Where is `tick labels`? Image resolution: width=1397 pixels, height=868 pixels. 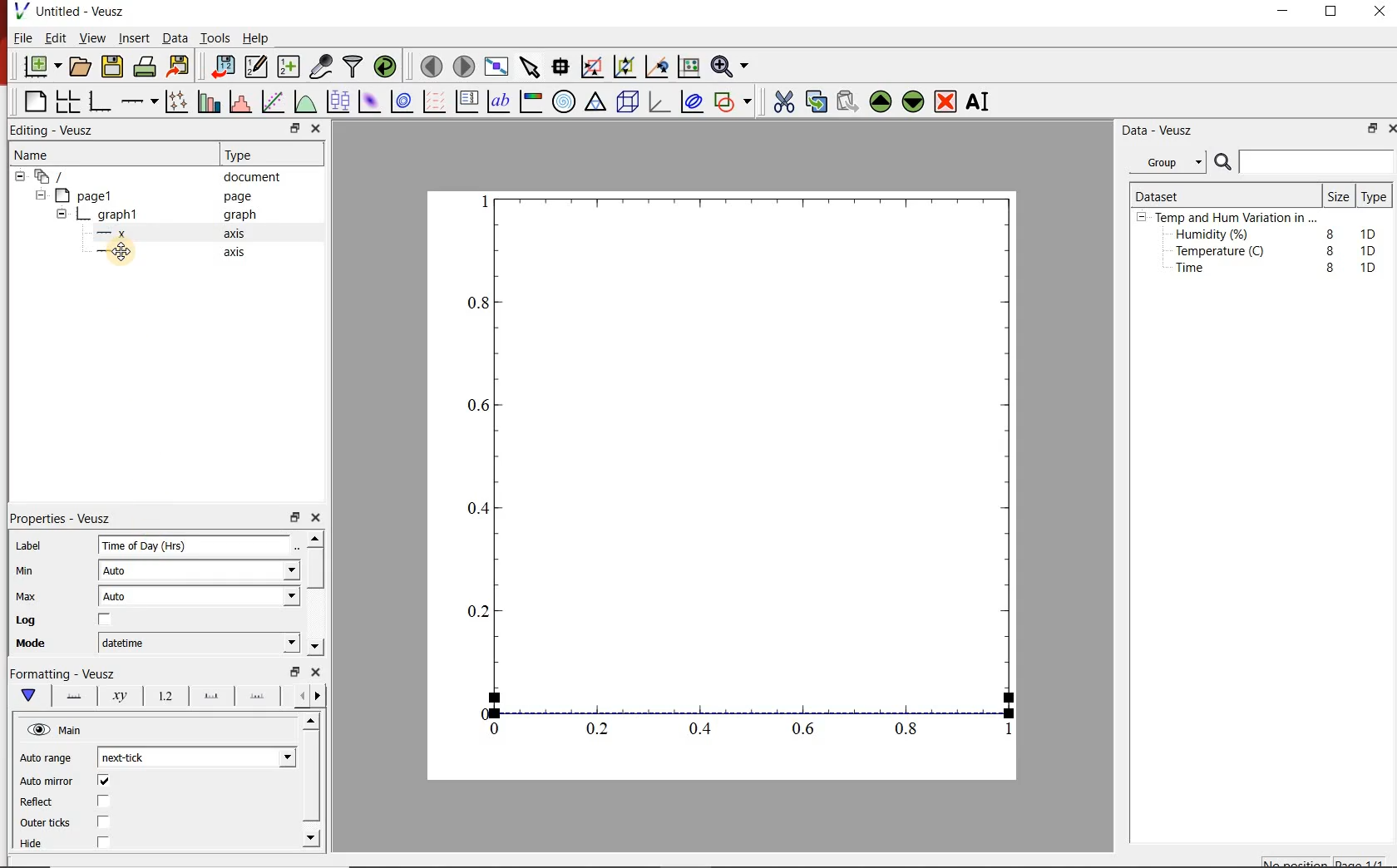 tick labels is located at coordinates (165, 696).